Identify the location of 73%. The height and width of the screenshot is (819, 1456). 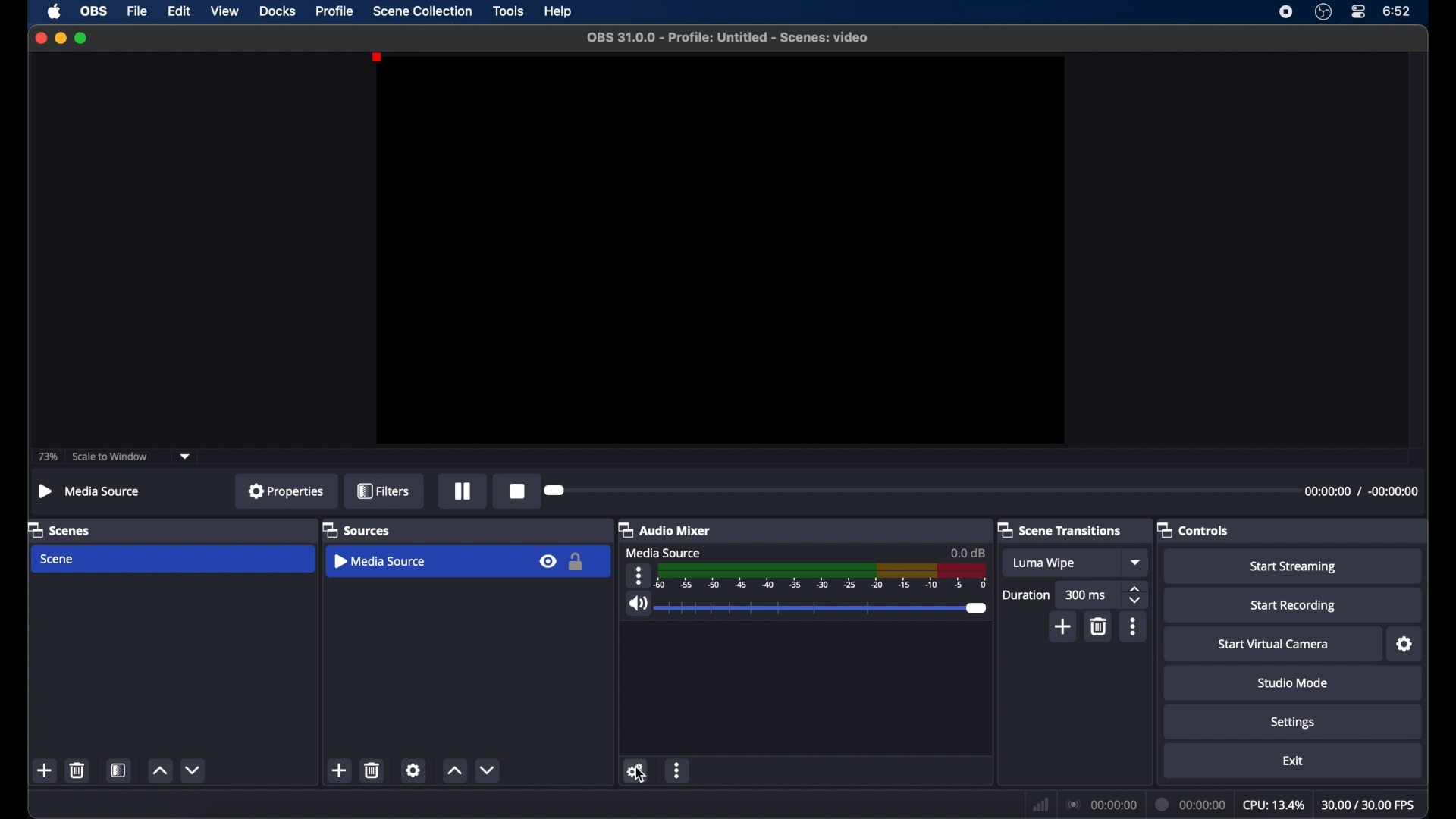
(49, 456).